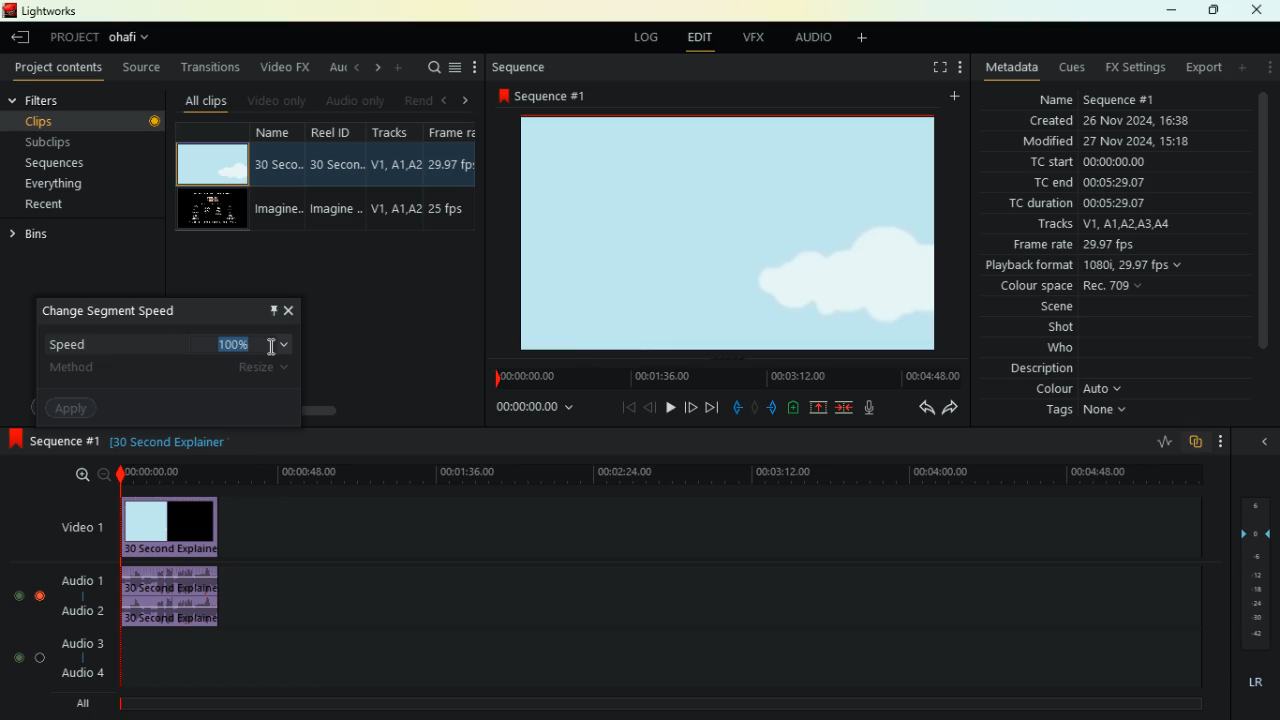  I want to click on shot, so click(1062, 329).